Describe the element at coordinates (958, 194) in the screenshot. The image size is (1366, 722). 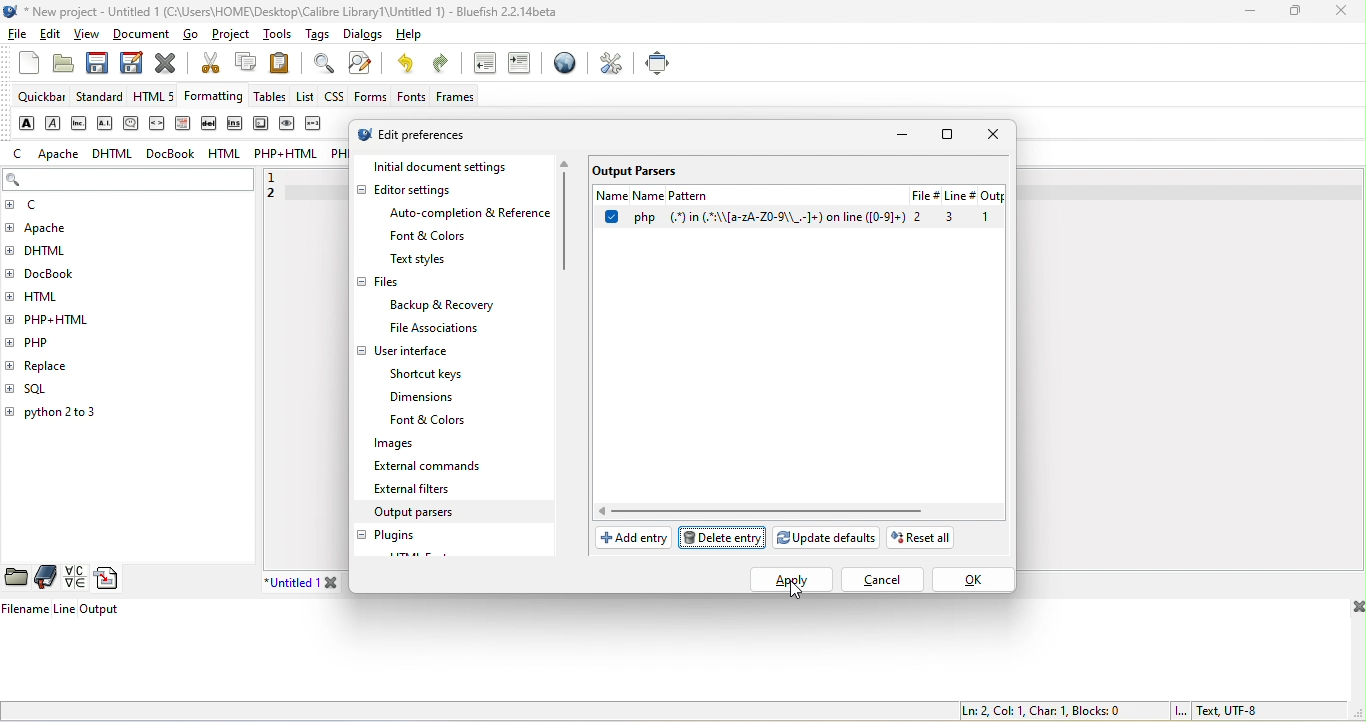
I see `linr` at that location.